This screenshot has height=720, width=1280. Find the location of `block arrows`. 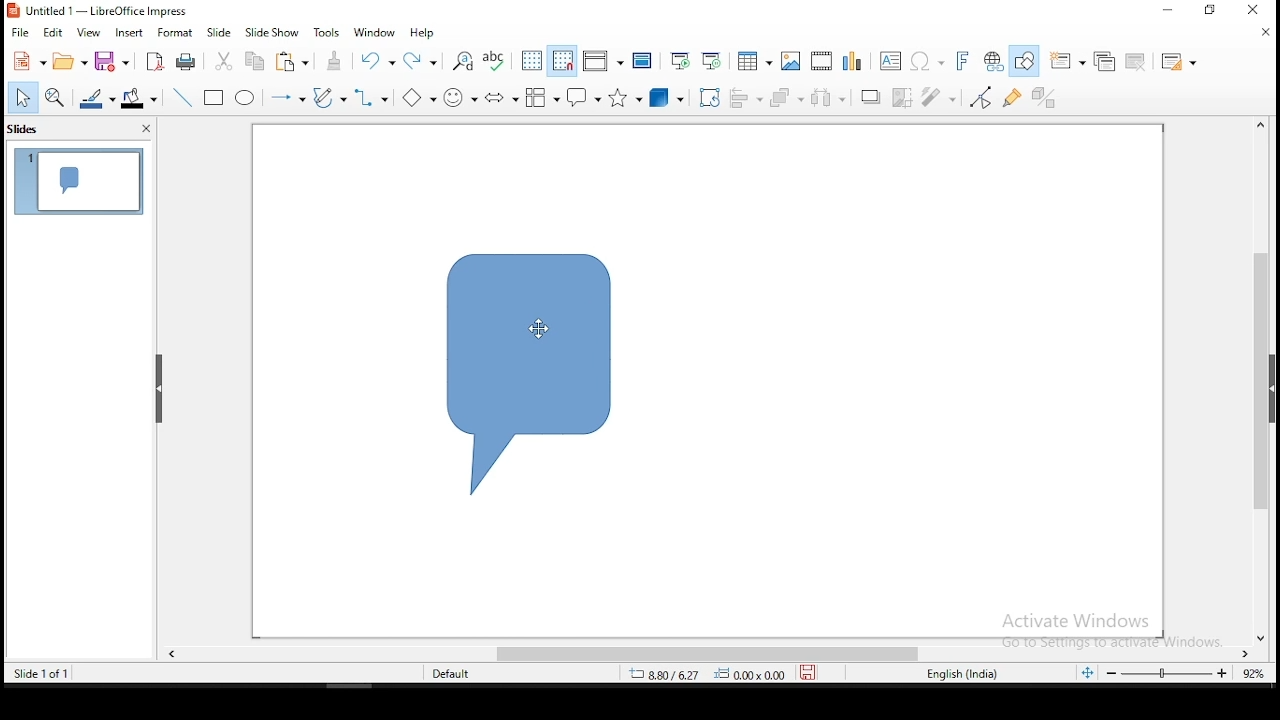

block arrows is located at coordinates (504, 98).